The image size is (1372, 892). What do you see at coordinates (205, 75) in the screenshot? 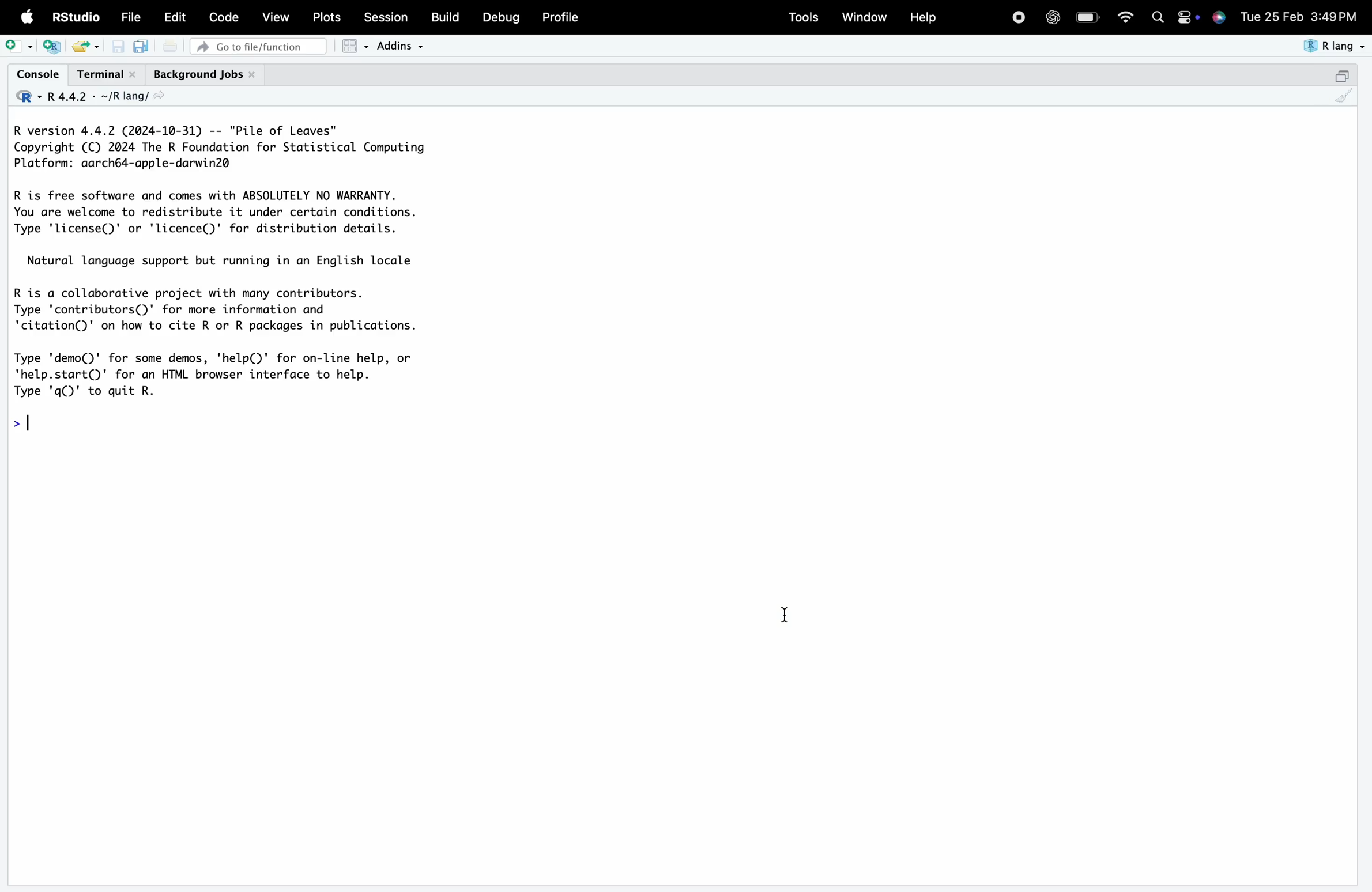
I see `Background Jobs` at bounding box center [205, 75].